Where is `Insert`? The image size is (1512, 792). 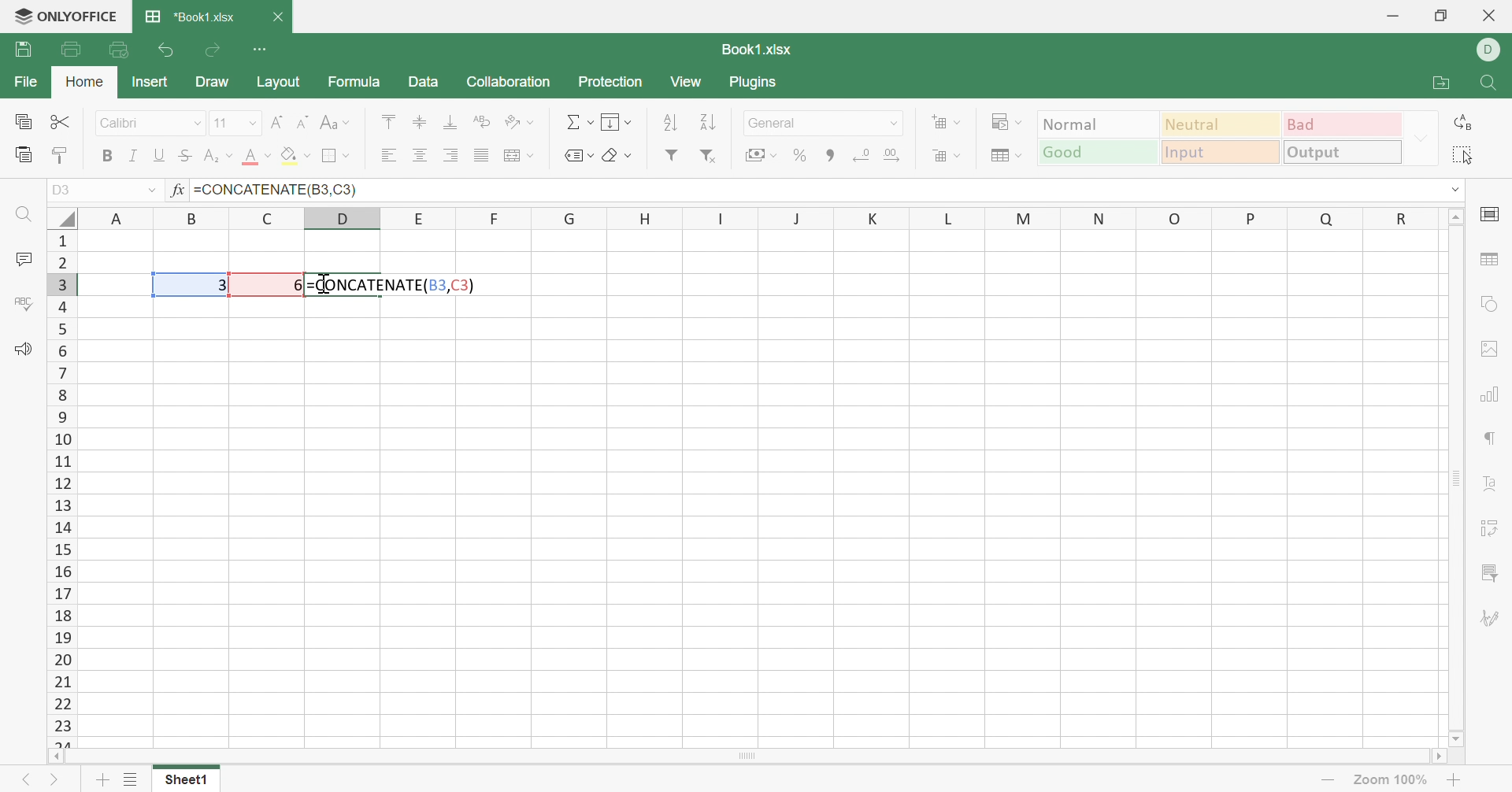
Insert is located at coordinates (154, 82).